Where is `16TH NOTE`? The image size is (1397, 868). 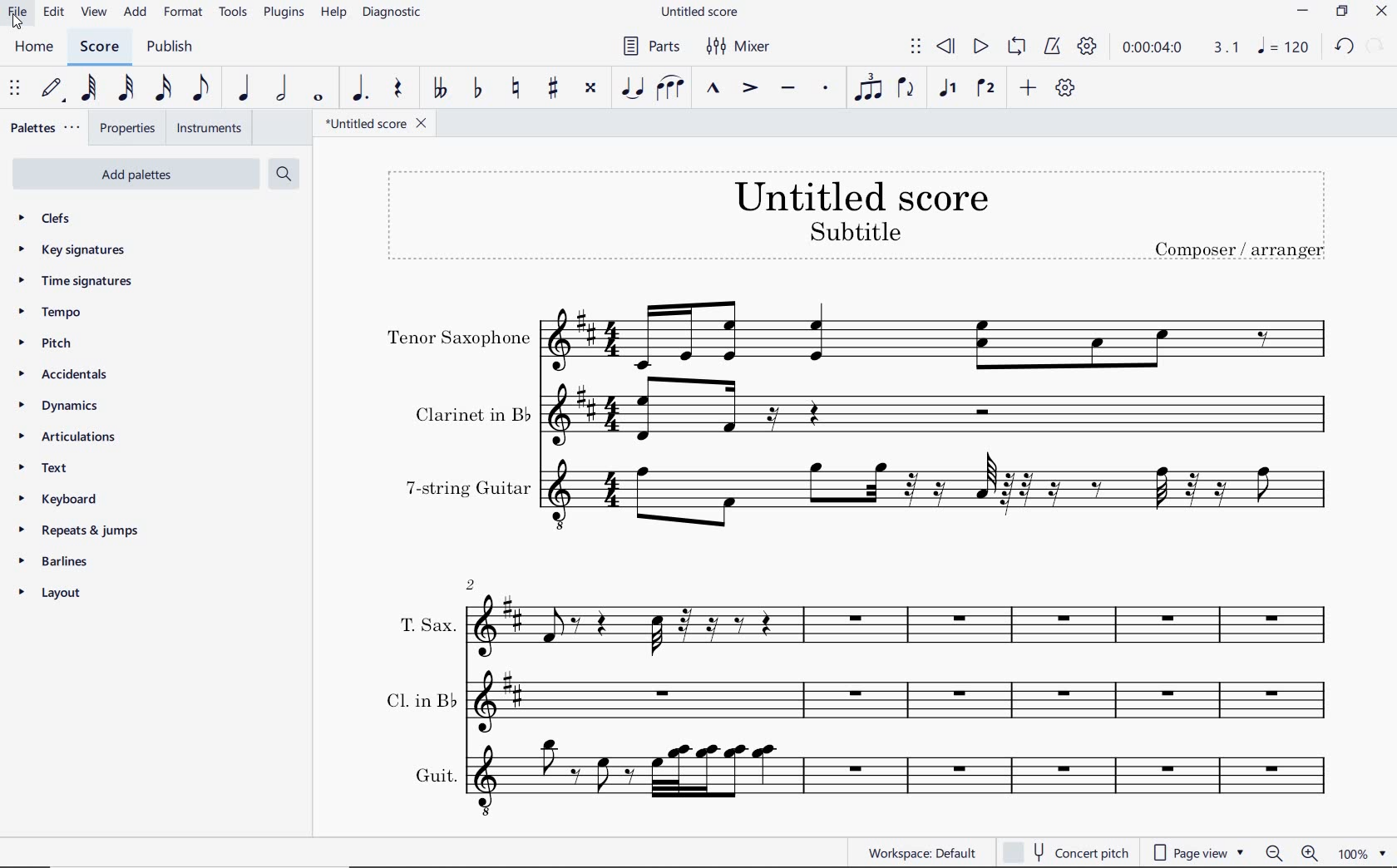
16TH NOTE is located at coordinates (165, 89).